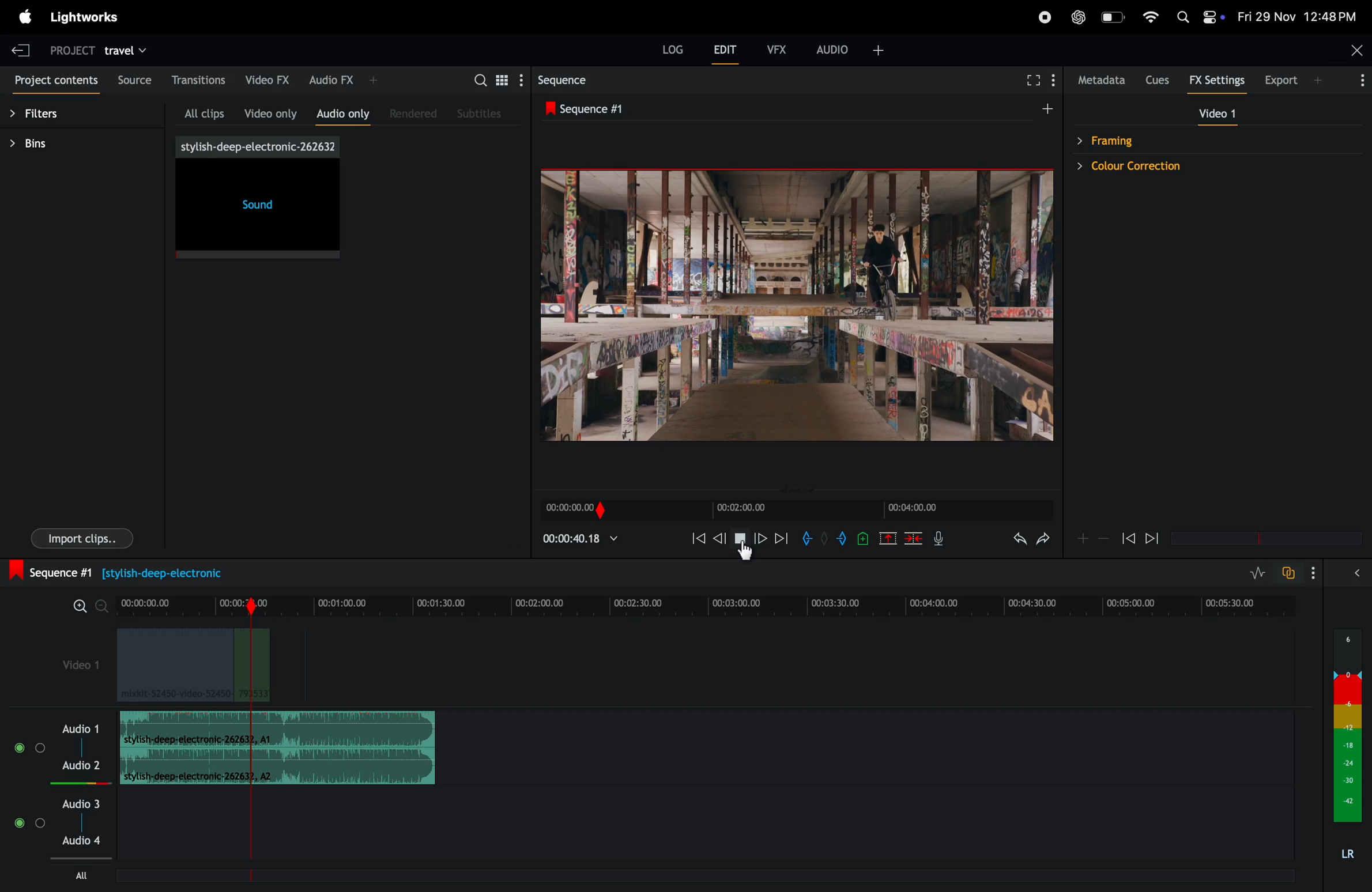  What do you see at coordinates (21, 47) in the screenshot?
I see `exit` at bounding box center [21, 47].